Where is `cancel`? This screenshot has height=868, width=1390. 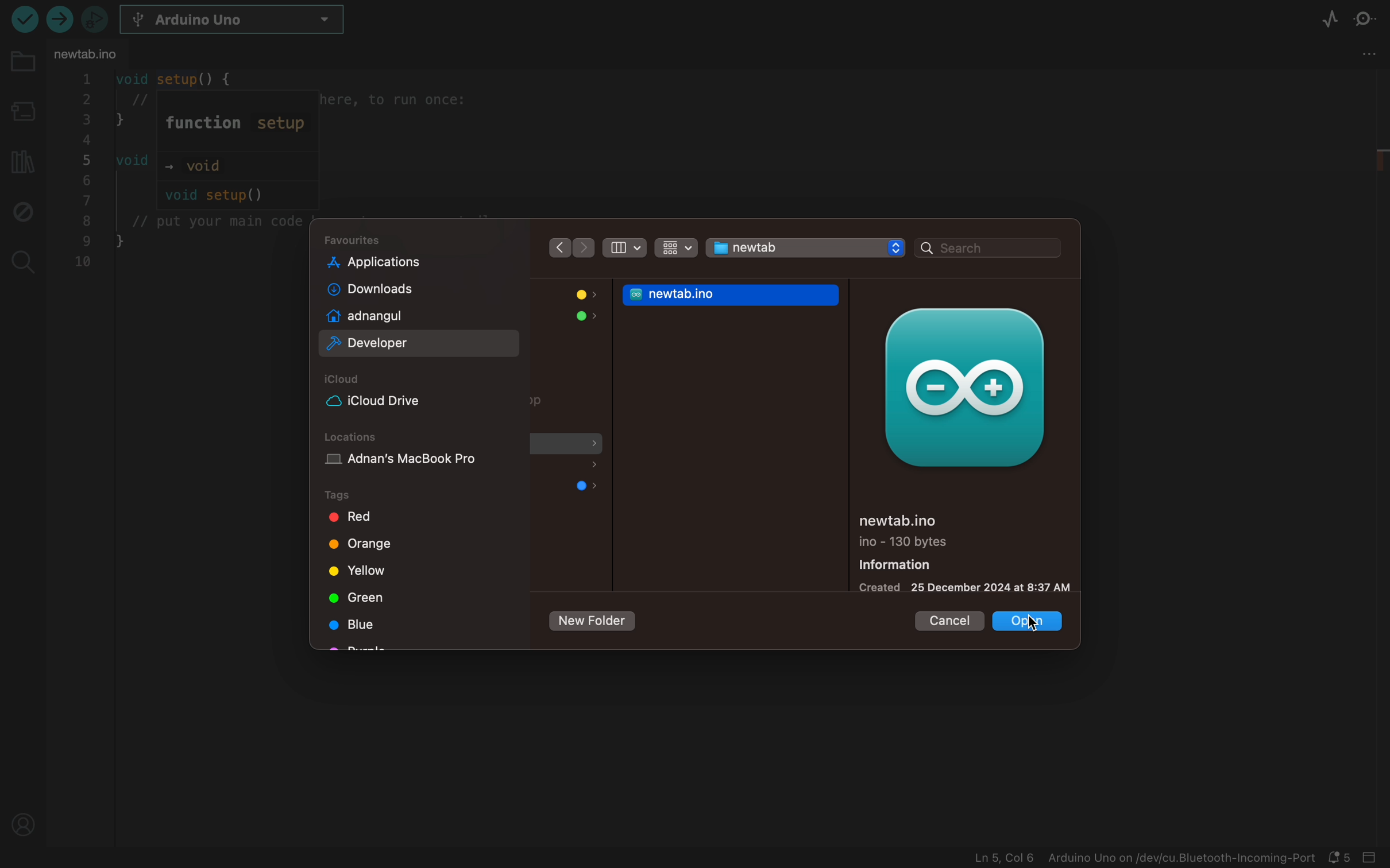
cancel is located at coordinates (945, 619).